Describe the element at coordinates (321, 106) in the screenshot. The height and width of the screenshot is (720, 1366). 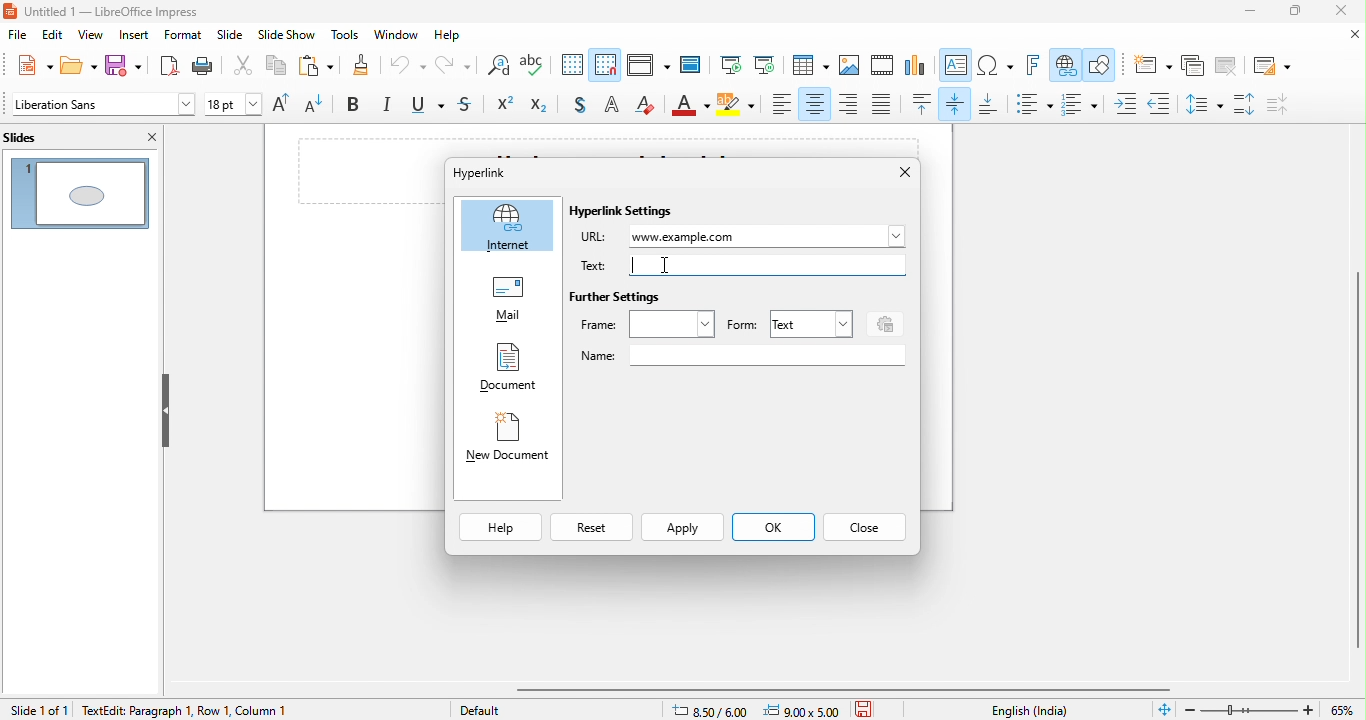
I see `decrease font size` at that location.